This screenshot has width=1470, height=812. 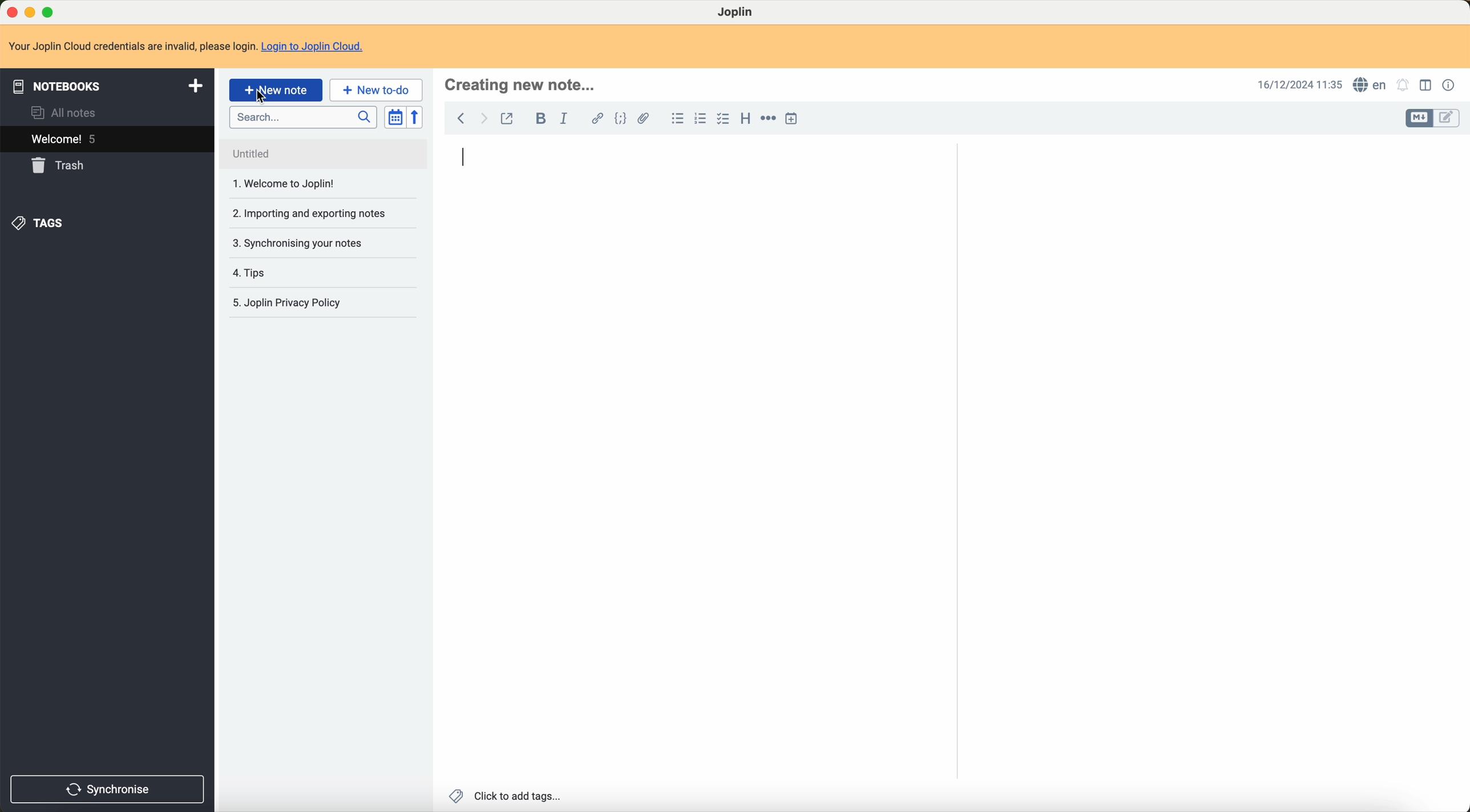 What do you see at coordinates (506, 795) in the screenshot?
I see `click to add tags` at bounding box center [506, 795].